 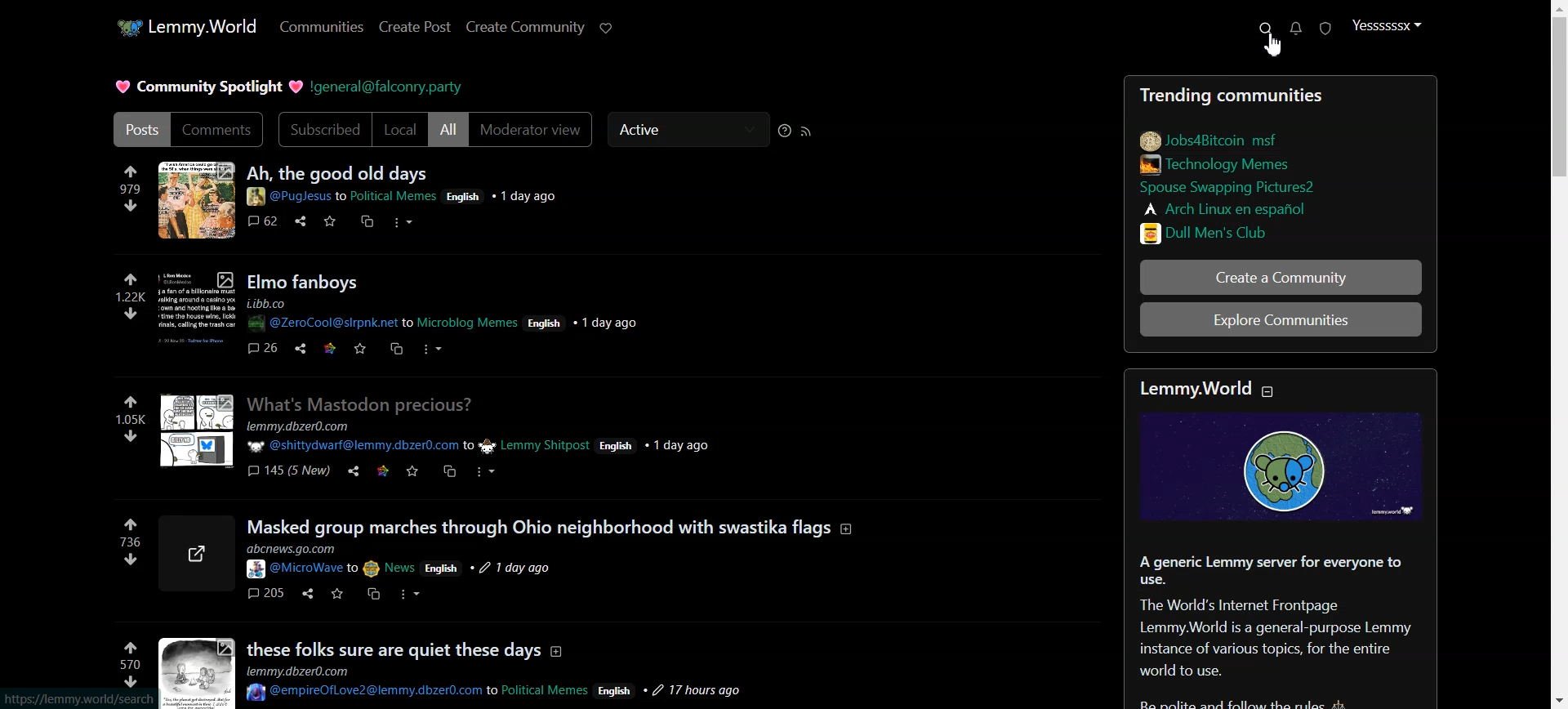 I want to click on save, so click(x=362, y=348).